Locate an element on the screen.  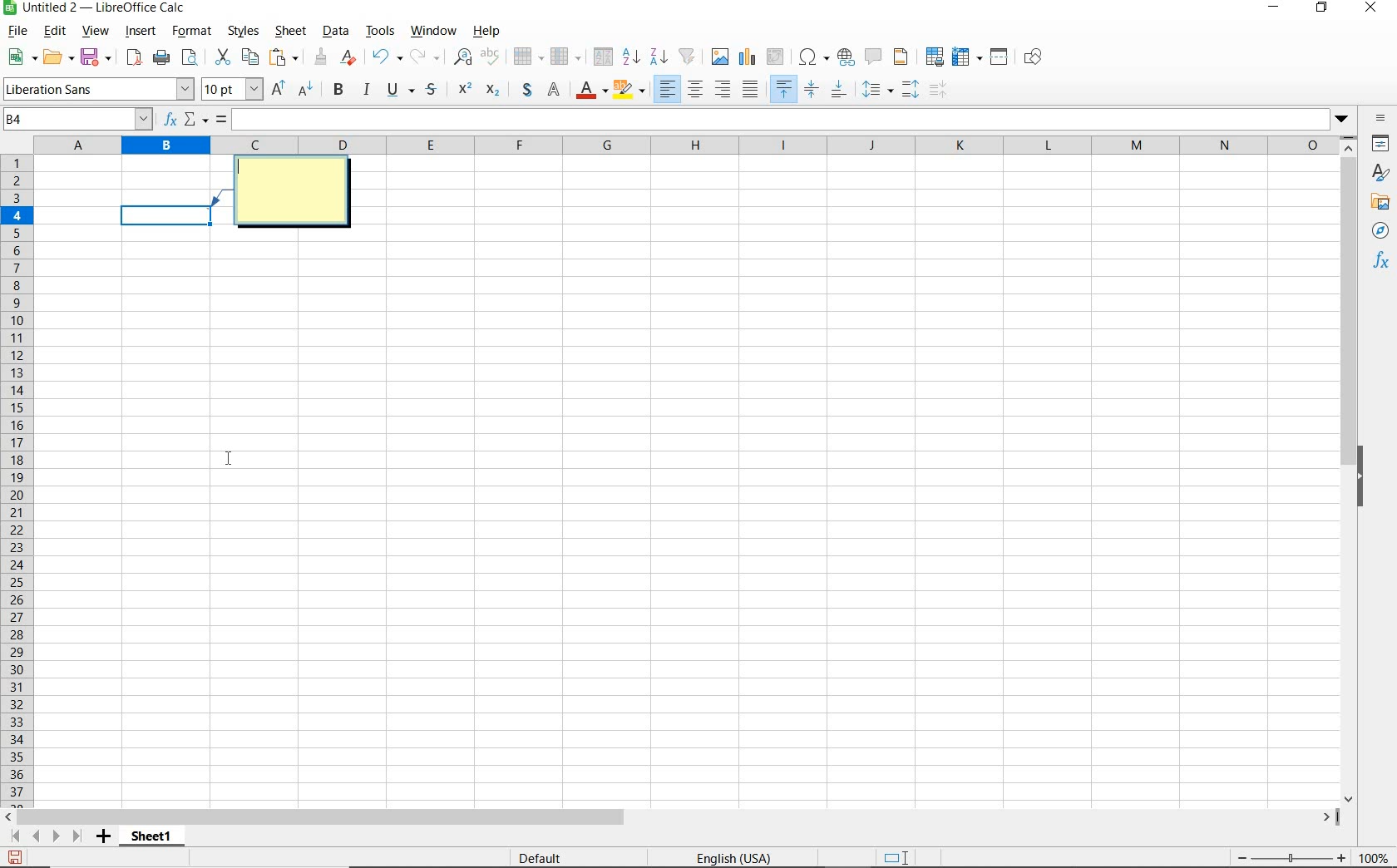
symbol styles is located at coordinates (424, 87).